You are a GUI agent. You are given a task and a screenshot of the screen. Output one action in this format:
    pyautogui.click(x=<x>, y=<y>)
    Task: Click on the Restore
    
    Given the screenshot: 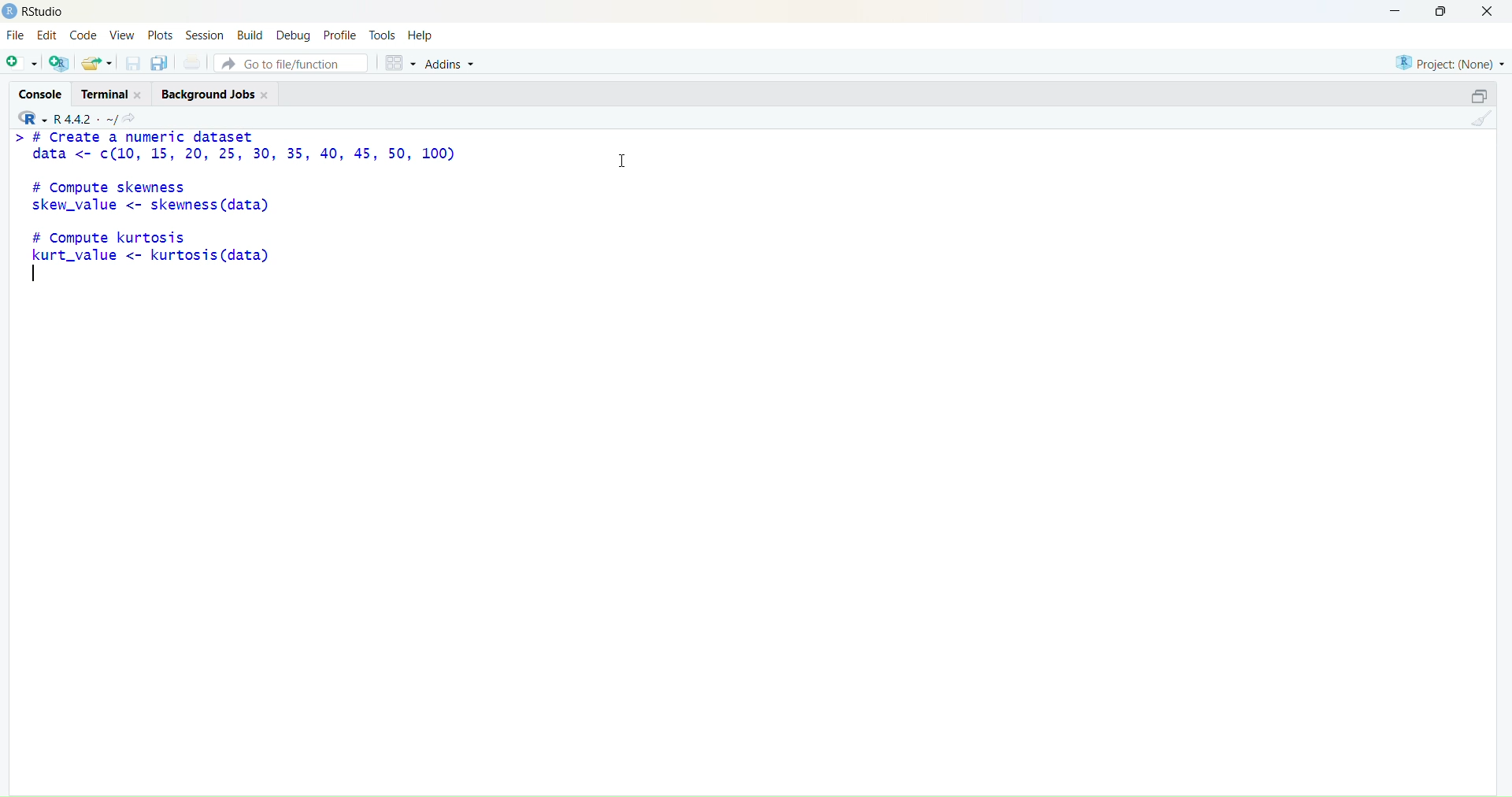 What is the action you would take?
    pyautogui.click(x=1470, y=98)
    